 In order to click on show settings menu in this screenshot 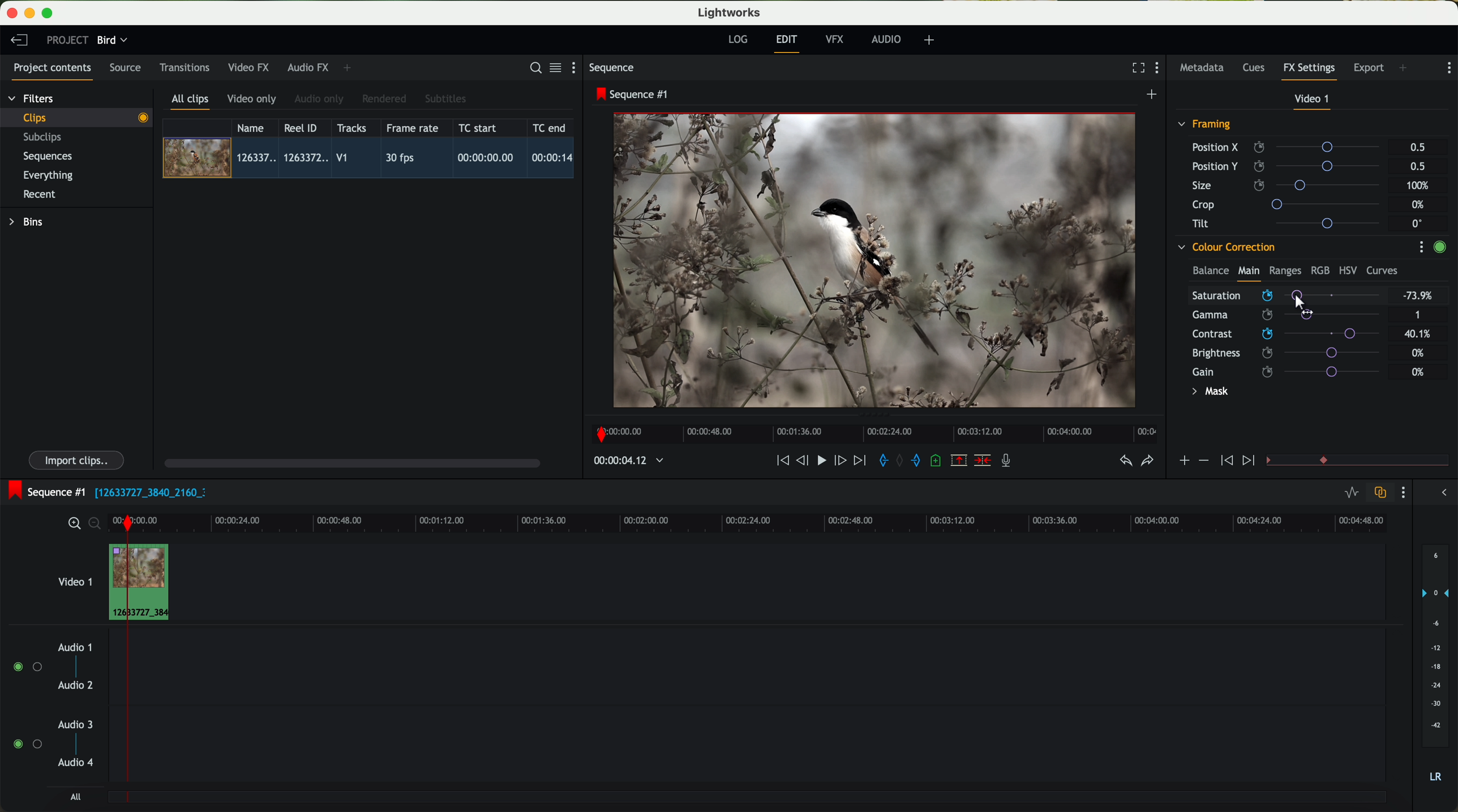, I will do `click(1448, 68)`.